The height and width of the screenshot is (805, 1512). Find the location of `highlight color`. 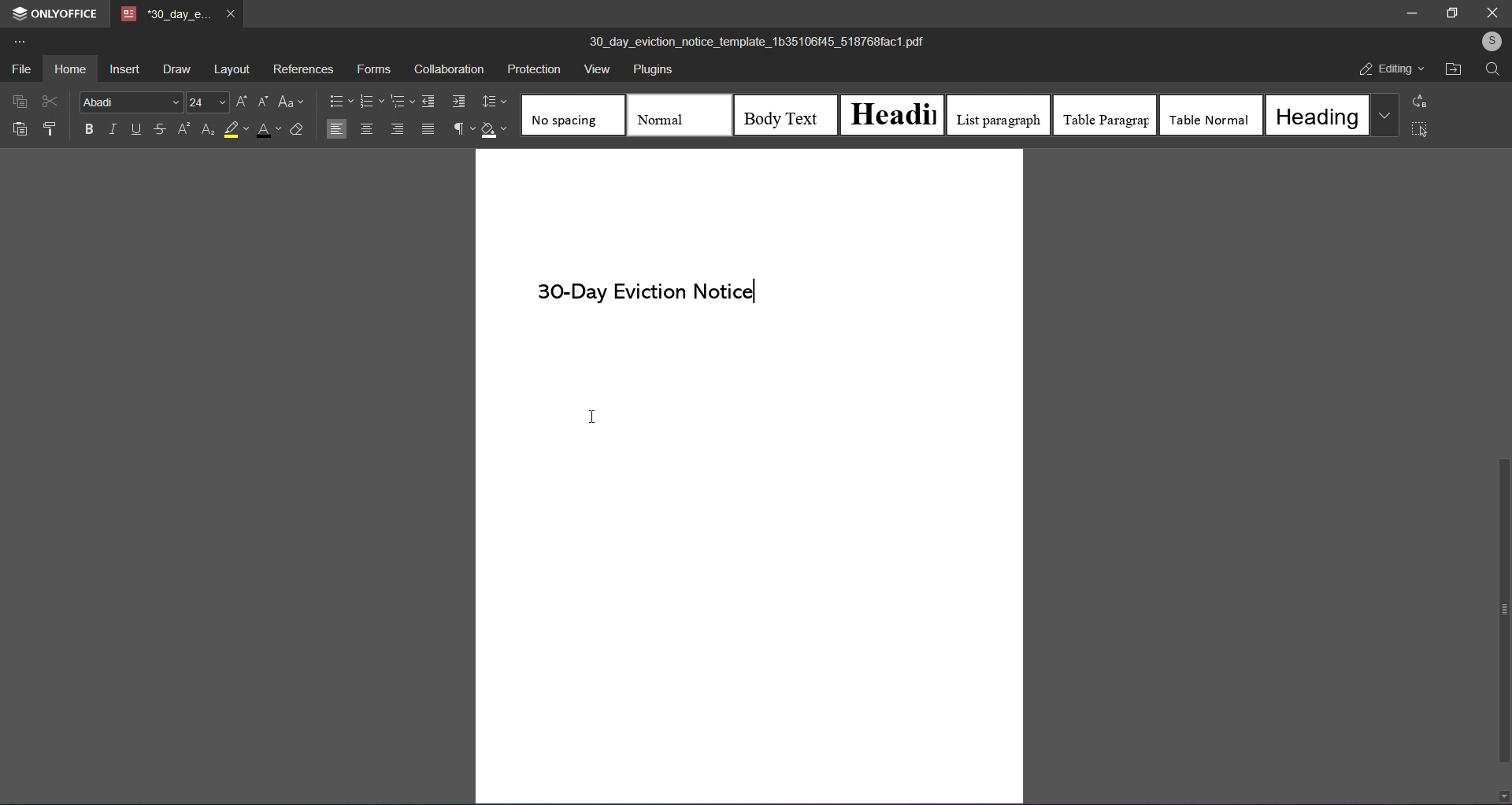

highlight color is located at coordinates (235, 130).